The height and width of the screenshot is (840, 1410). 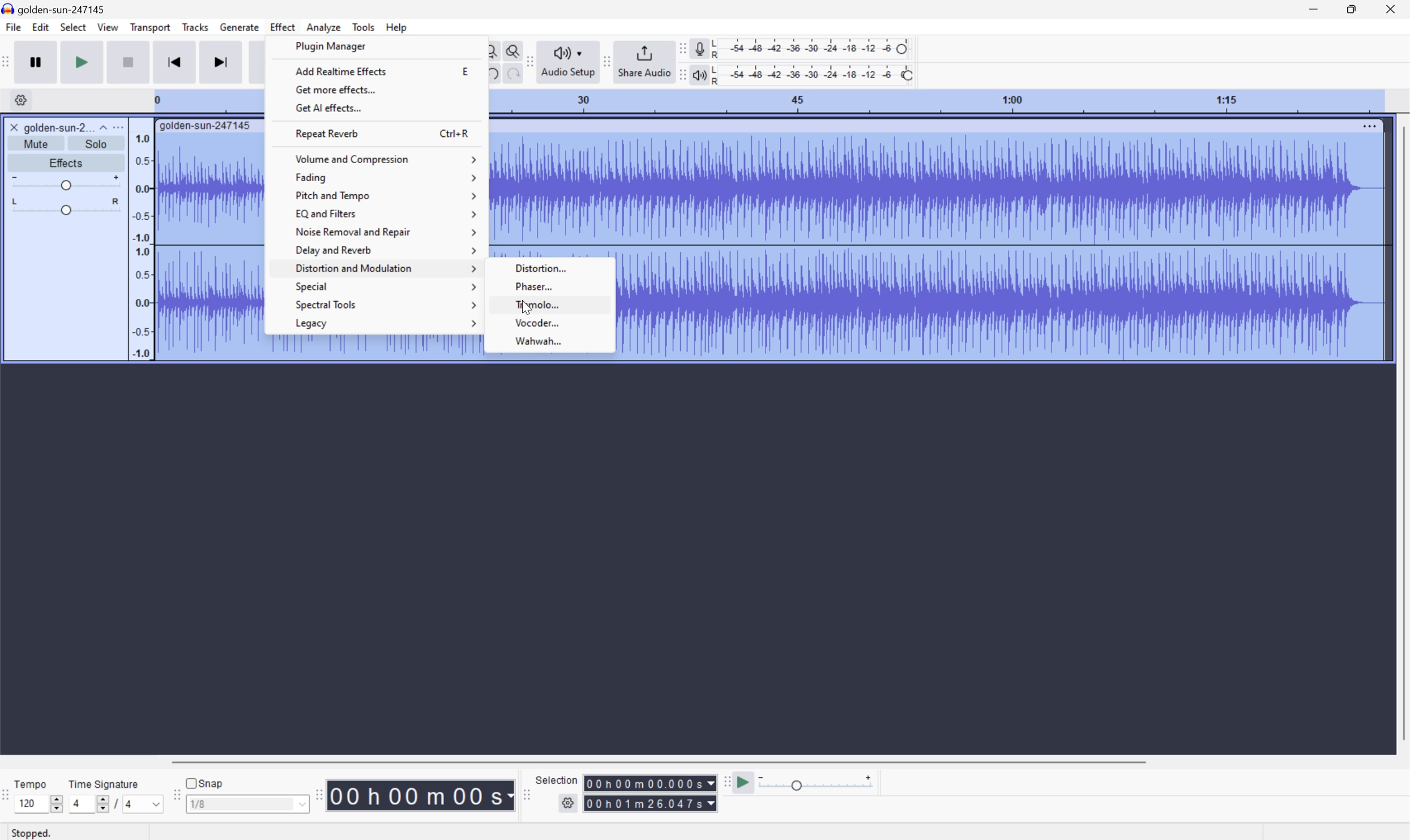 I want to click on Close, so click(x=1394, y=8).